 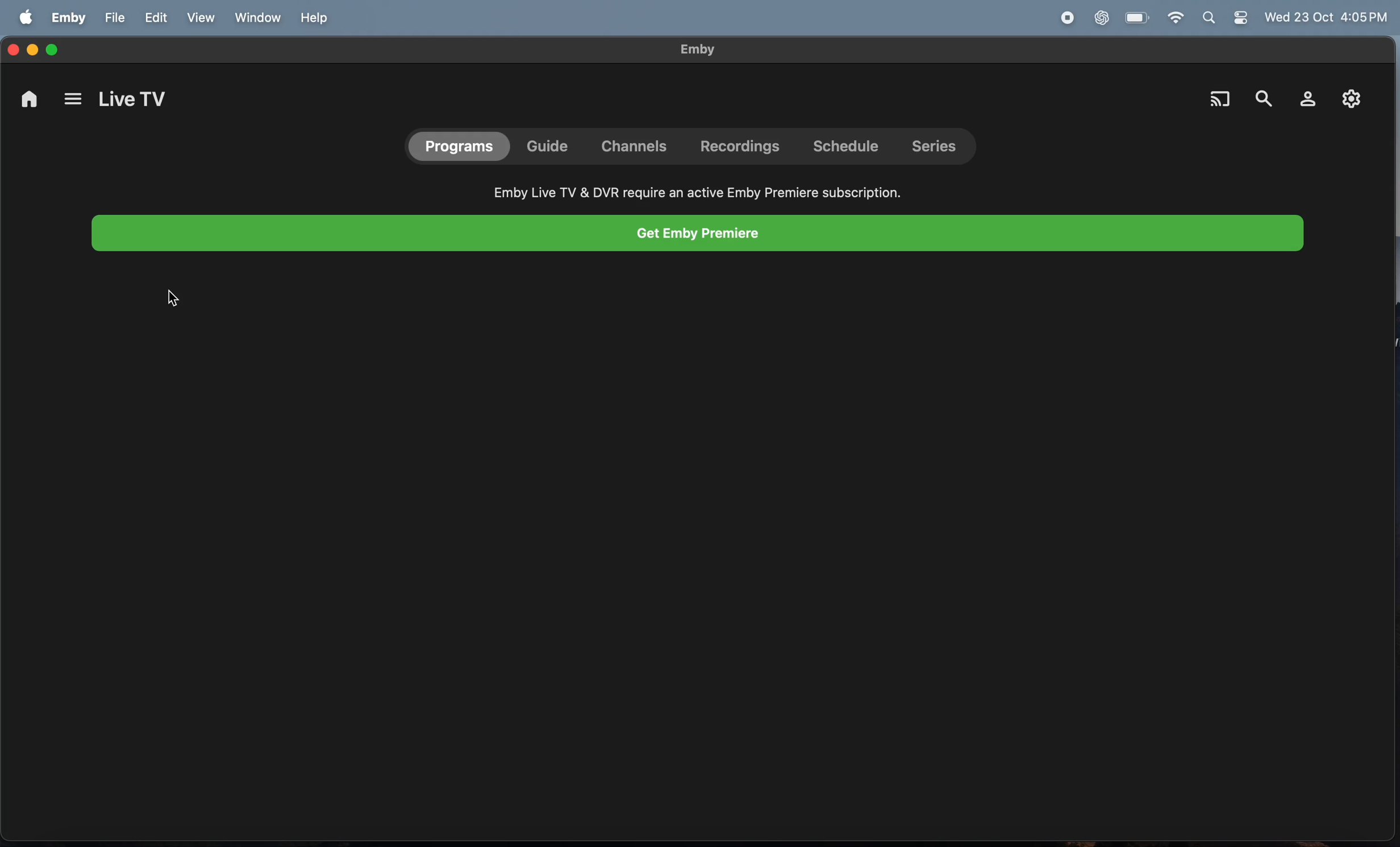 What do you see at coordinates (312, 18) in the screenshot?
I see `help` at bounding box center [312, 18].